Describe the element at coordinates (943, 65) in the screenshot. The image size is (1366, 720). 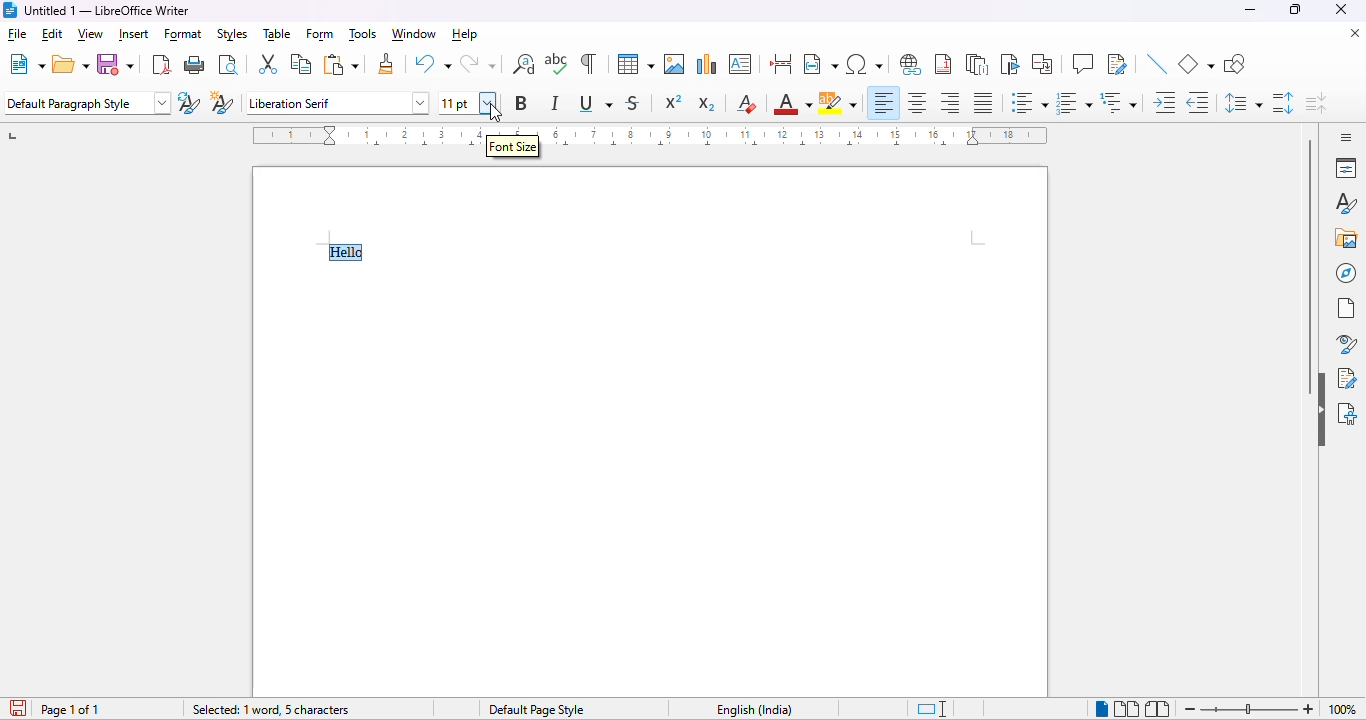
I see `insert footnote` at that location.